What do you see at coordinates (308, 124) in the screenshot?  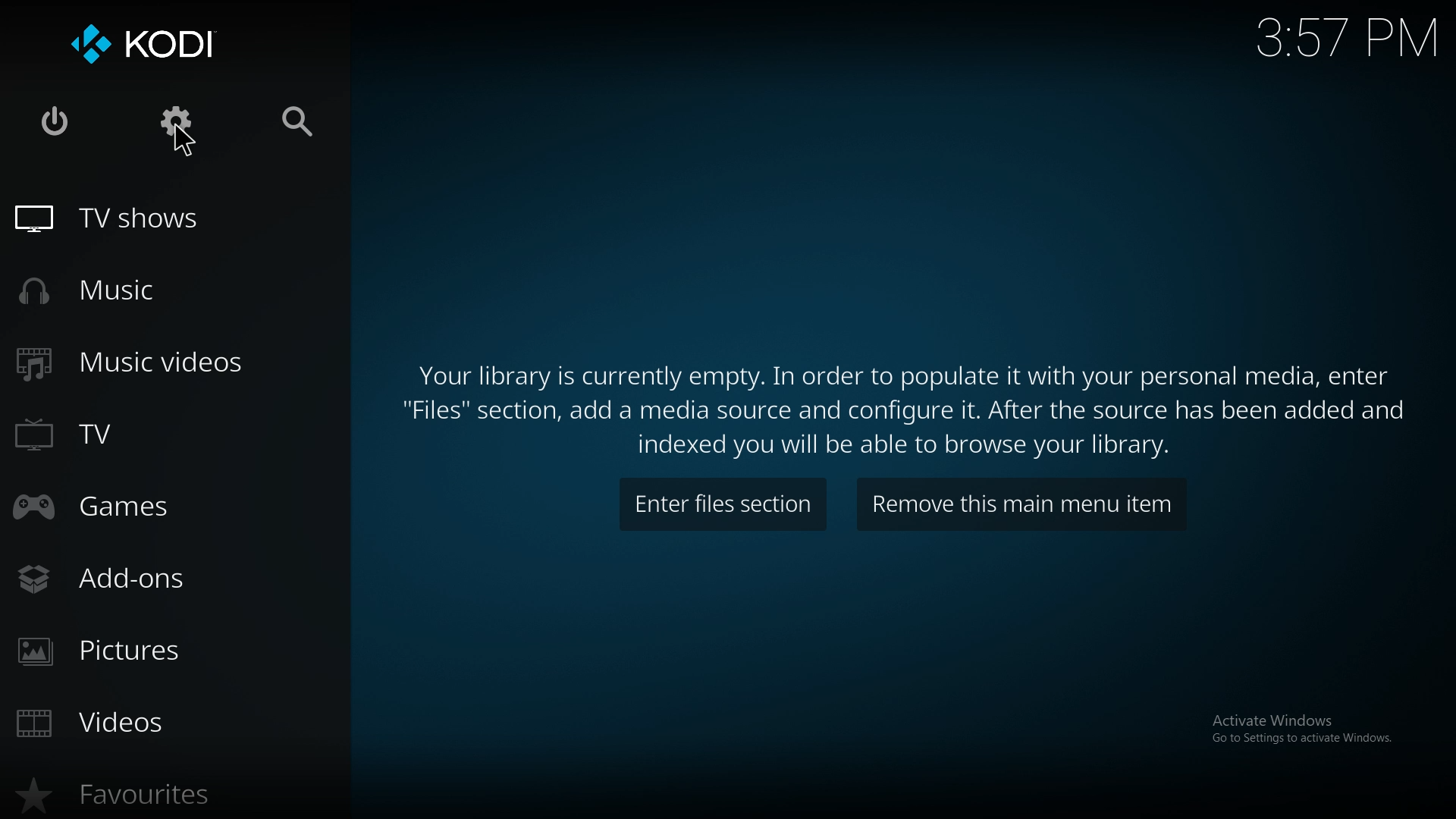 I see `search` at bounding box center [308, 124].